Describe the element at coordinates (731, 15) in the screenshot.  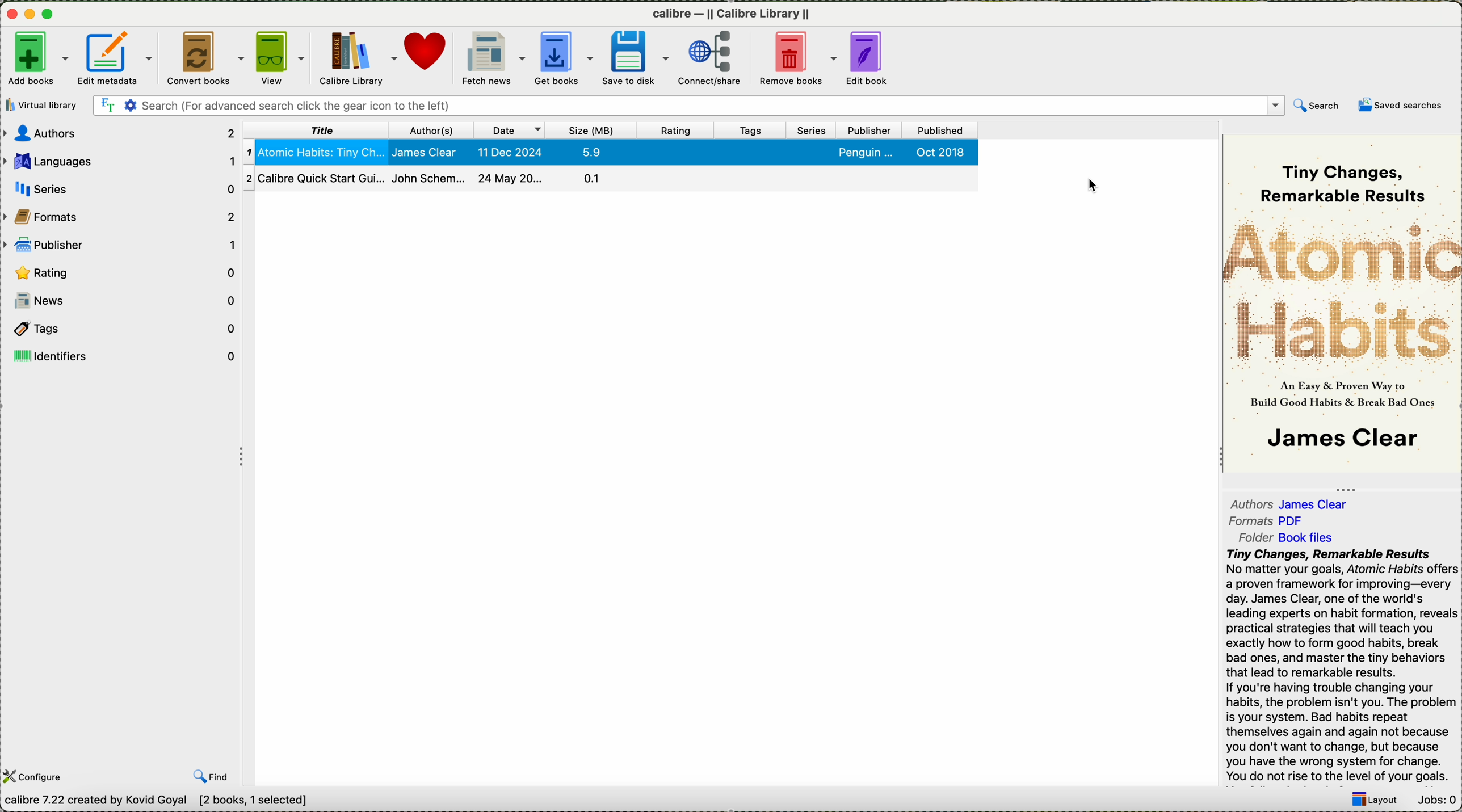
I see `Calibre` at that location.